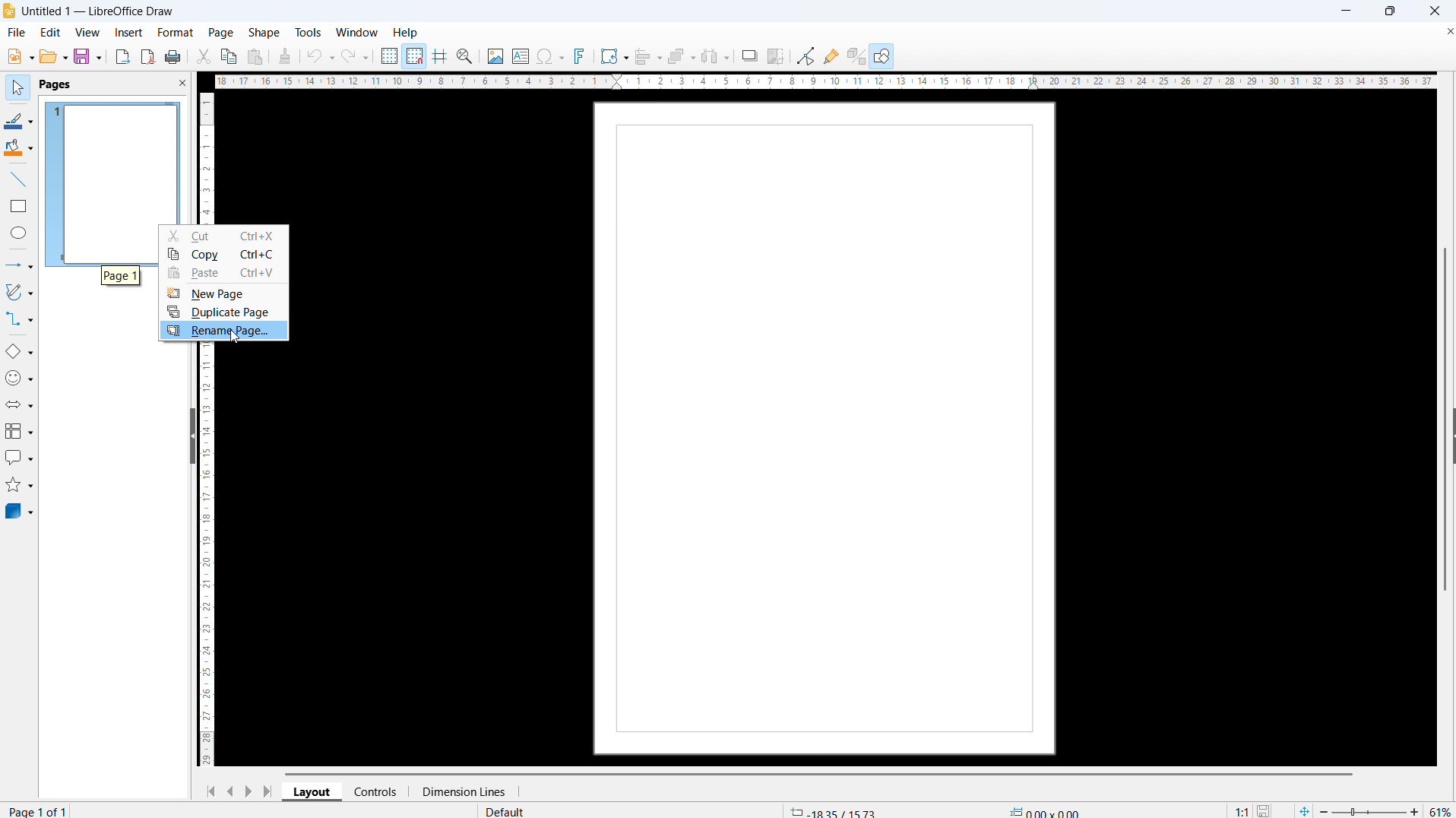 This screenshot has width=1456, height=818. Describe the element at coordinates (20, 233) in the screenshot. I see `ellipse` at that location.